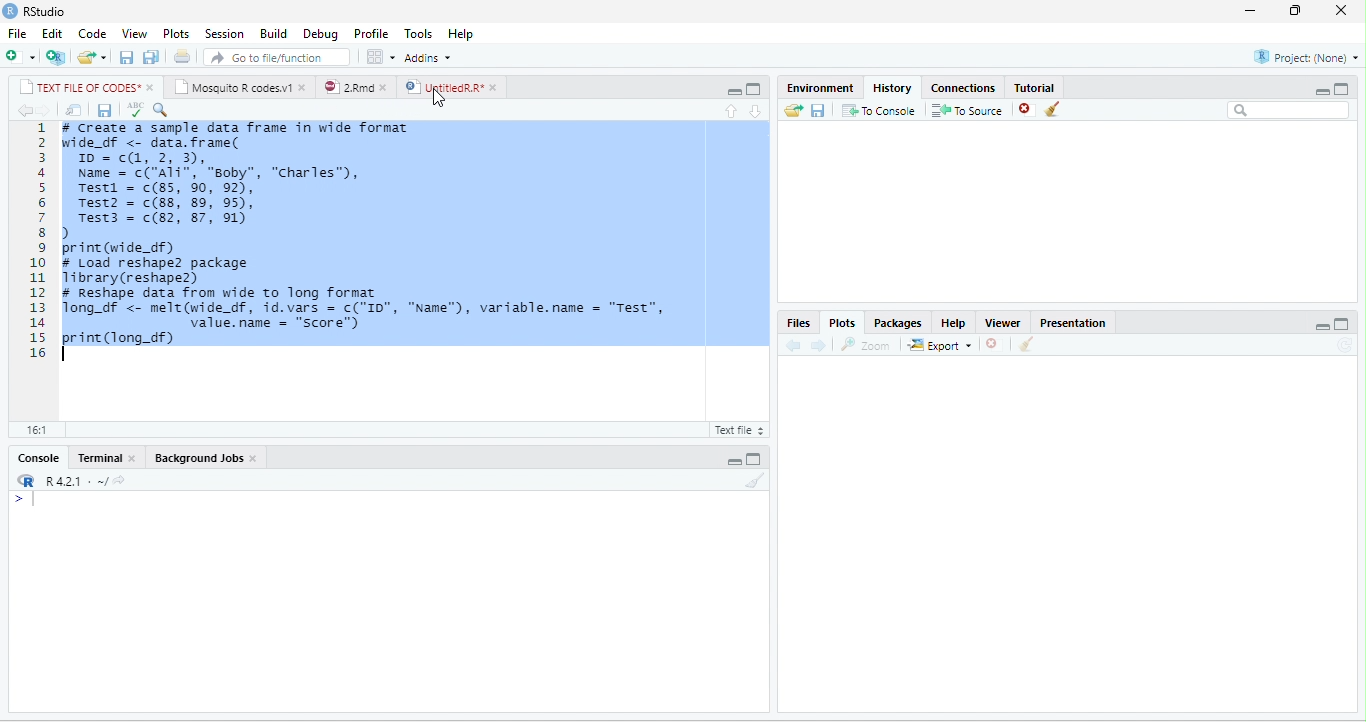 This screenshot has width=1366, height=722. Describe the element at coordinates (79, 86) in the screenshot. I see `TEXT FILE OF CODES` at that location.